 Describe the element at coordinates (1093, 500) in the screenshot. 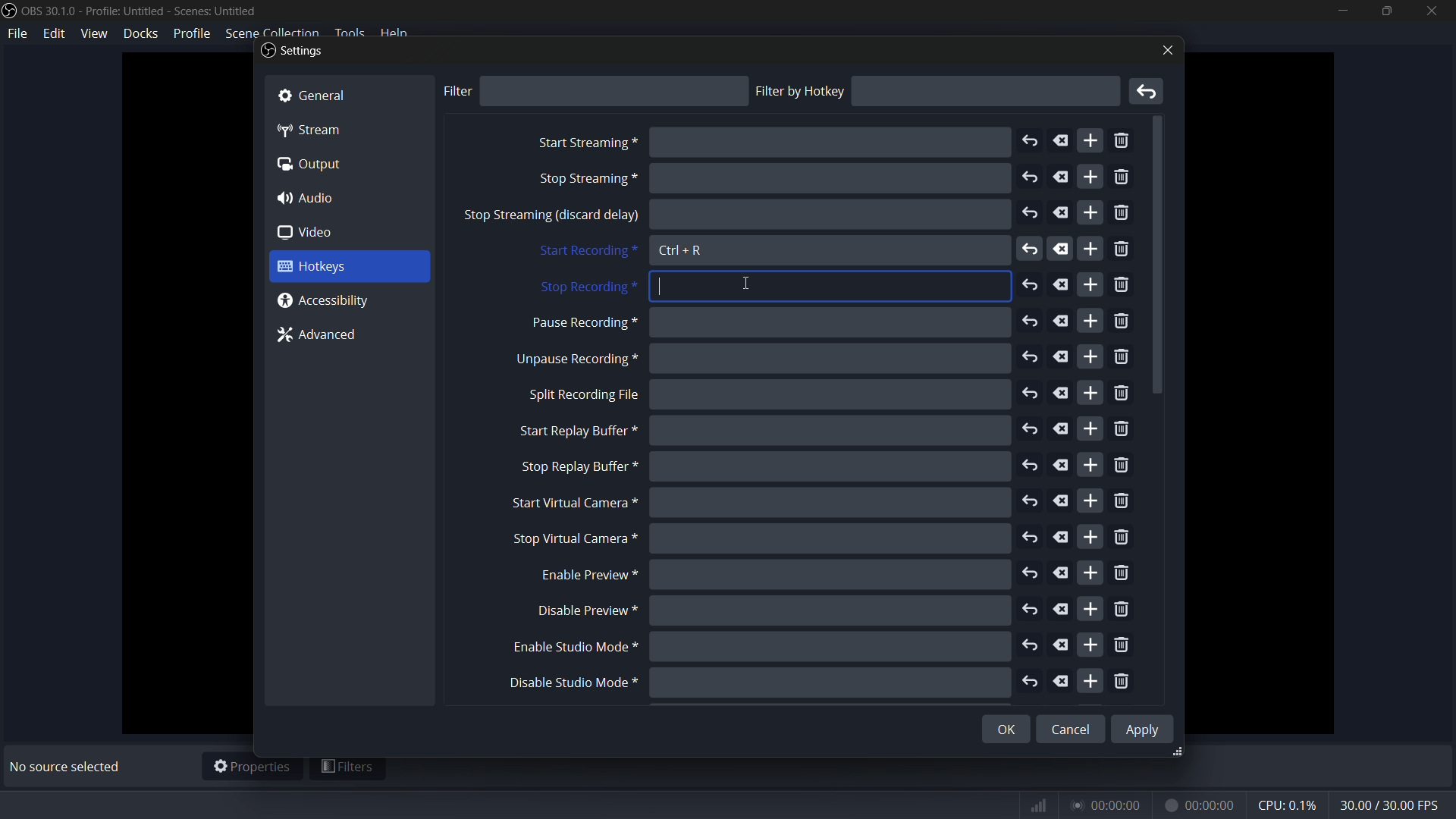

I see `add more` at that location.